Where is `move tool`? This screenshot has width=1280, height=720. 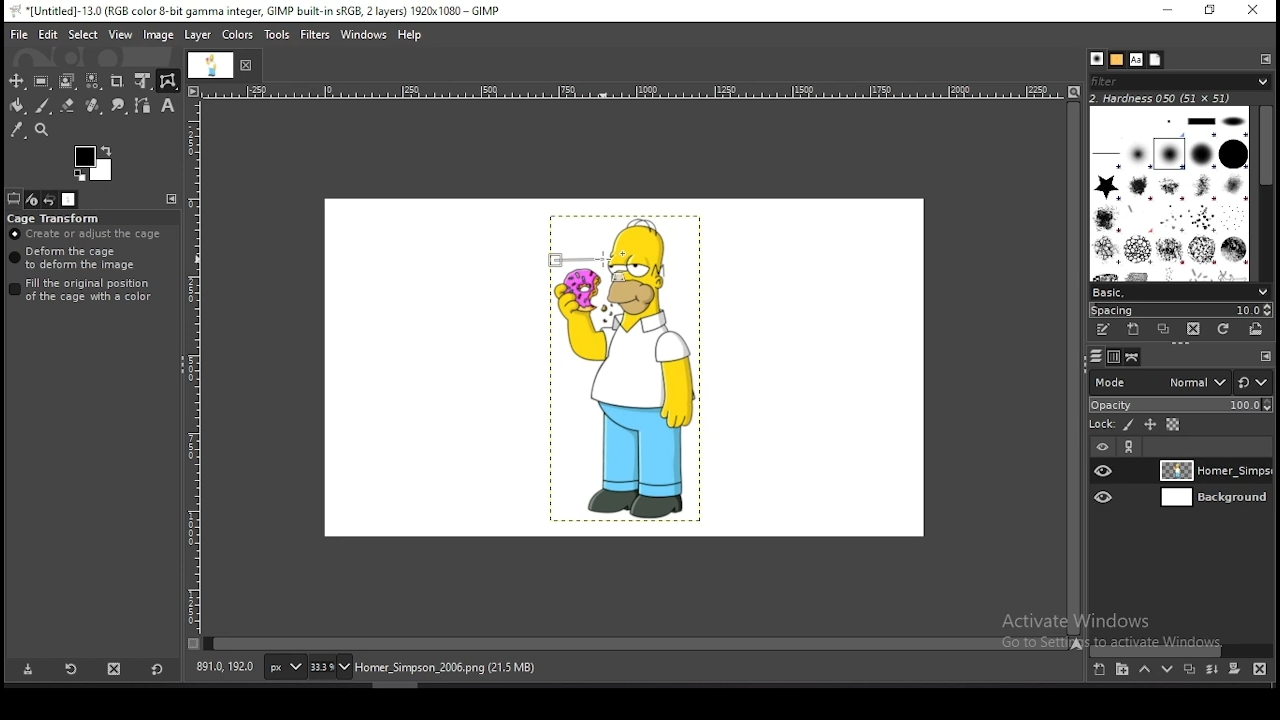 move tool is located at coordinates (17, 81).